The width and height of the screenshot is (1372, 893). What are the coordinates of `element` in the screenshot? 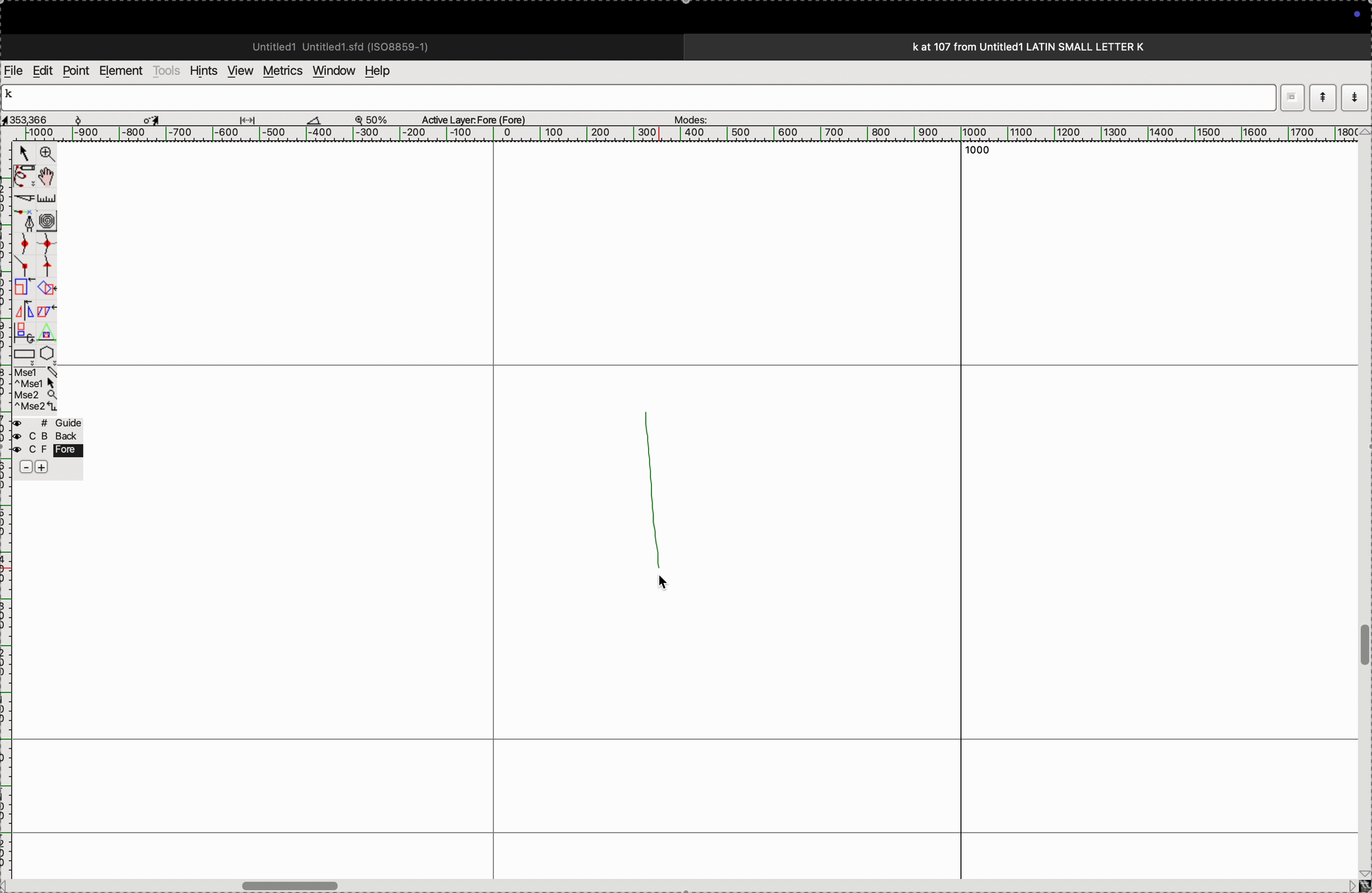 It's located at (122, 71).